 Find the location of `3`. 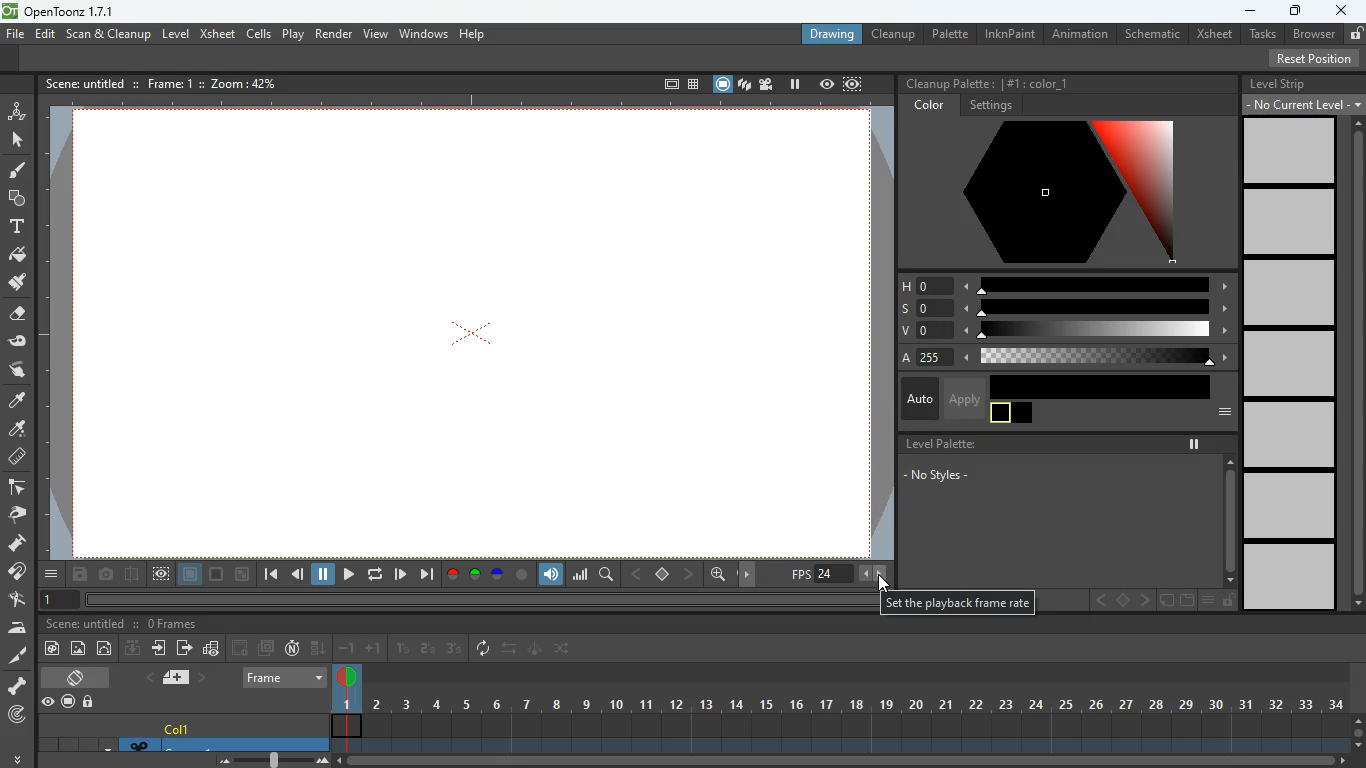

3 is located at coordinates (453, 649).